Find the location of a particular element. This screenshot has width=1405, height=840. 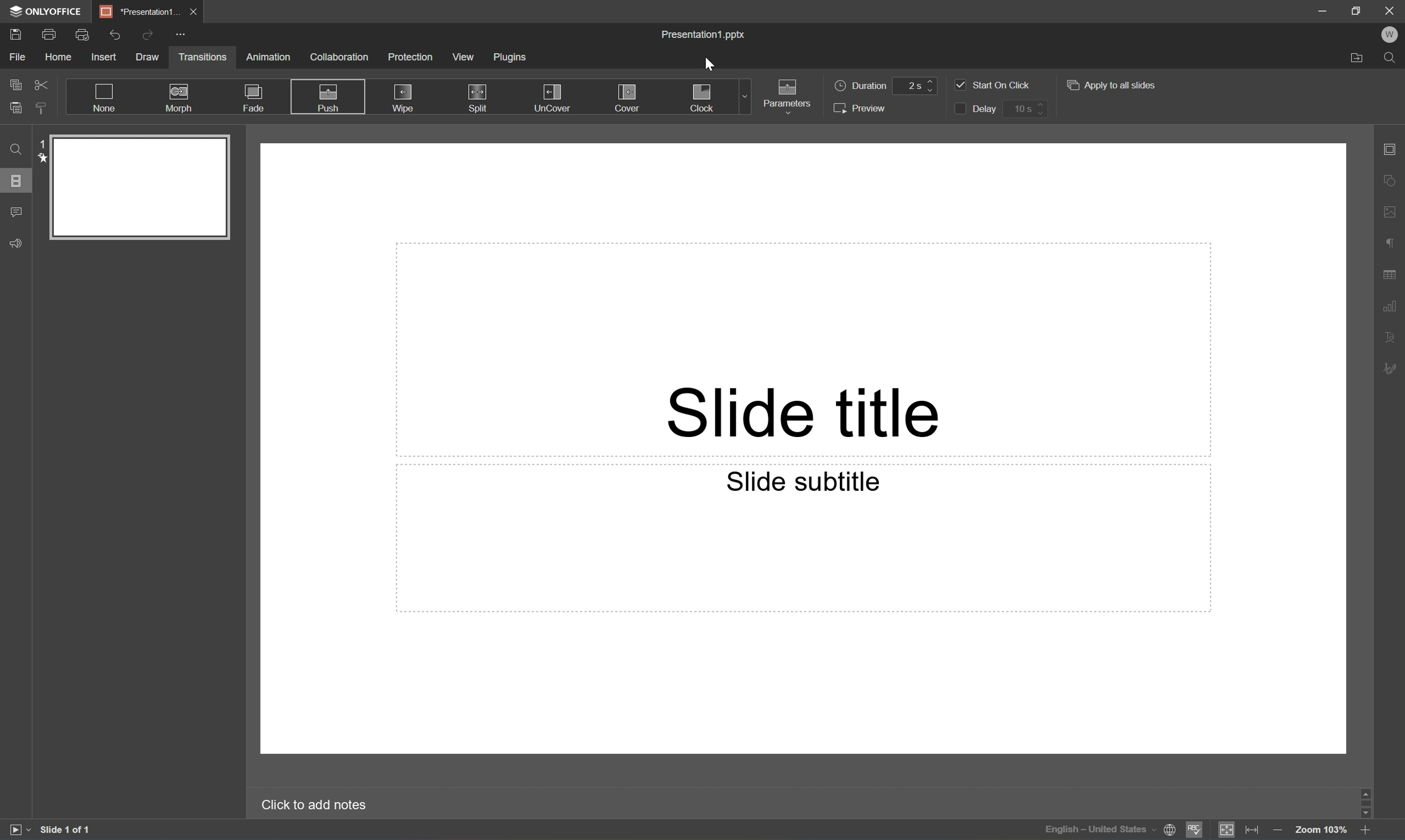

10 s is located at coordinates (1024, 109).